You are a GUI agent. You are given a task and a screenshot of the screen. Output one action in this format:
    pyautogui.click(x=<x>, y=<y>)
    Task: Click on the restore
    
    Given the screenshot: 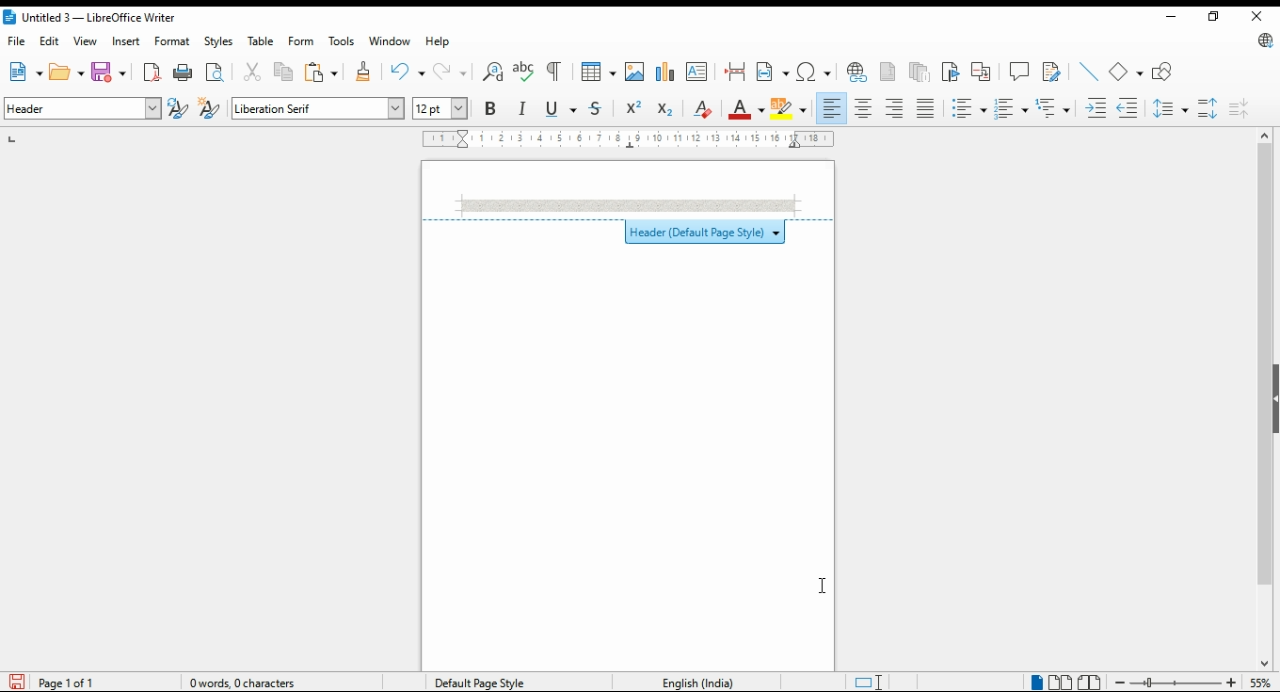 What is the action you would take?
    pyautogui.click(x=1212, y=16)
    